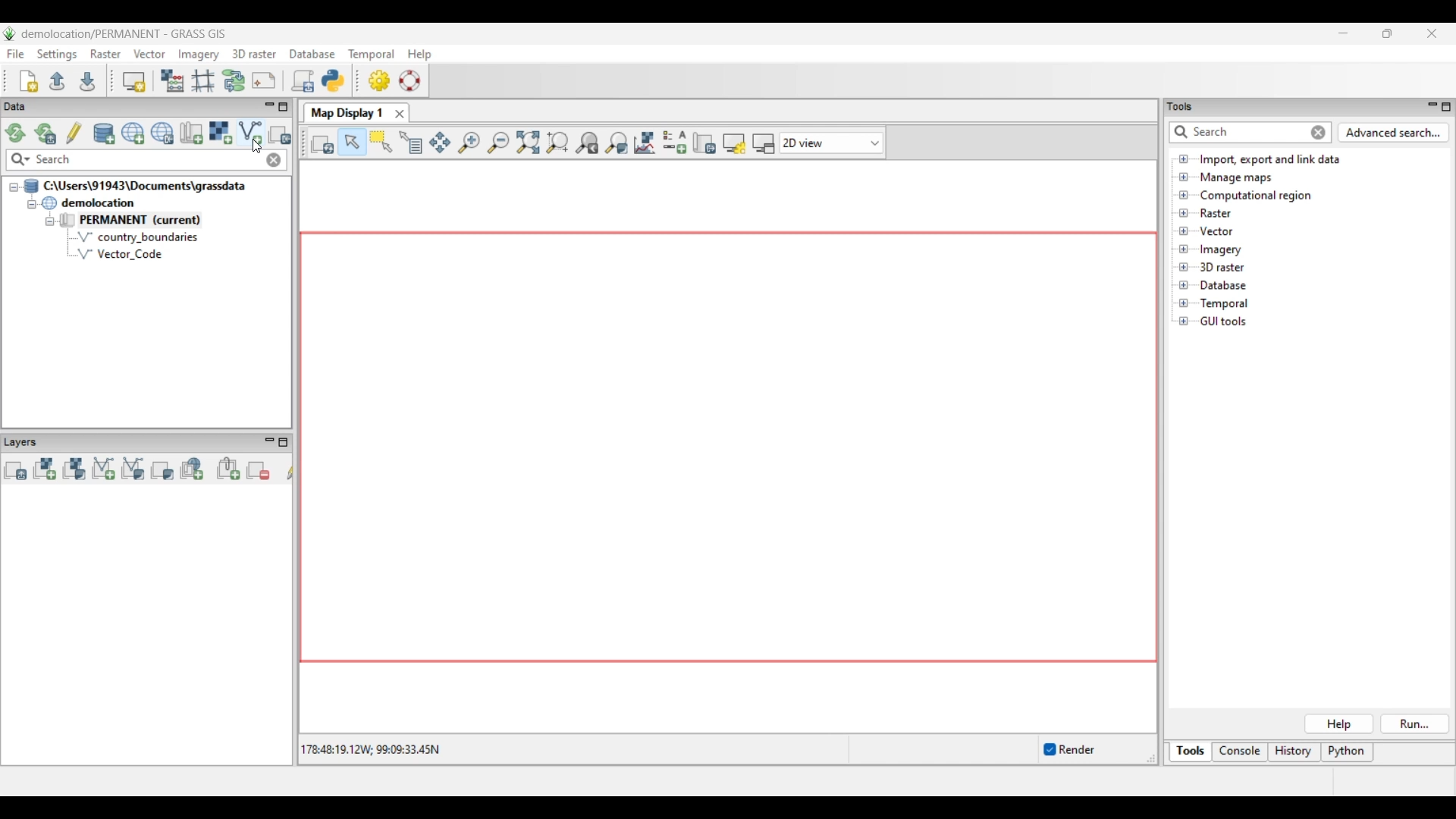  What do you see at coordinates (228, 469) in the screenshot?
I see `Add group` at bounding box center [228, 469].